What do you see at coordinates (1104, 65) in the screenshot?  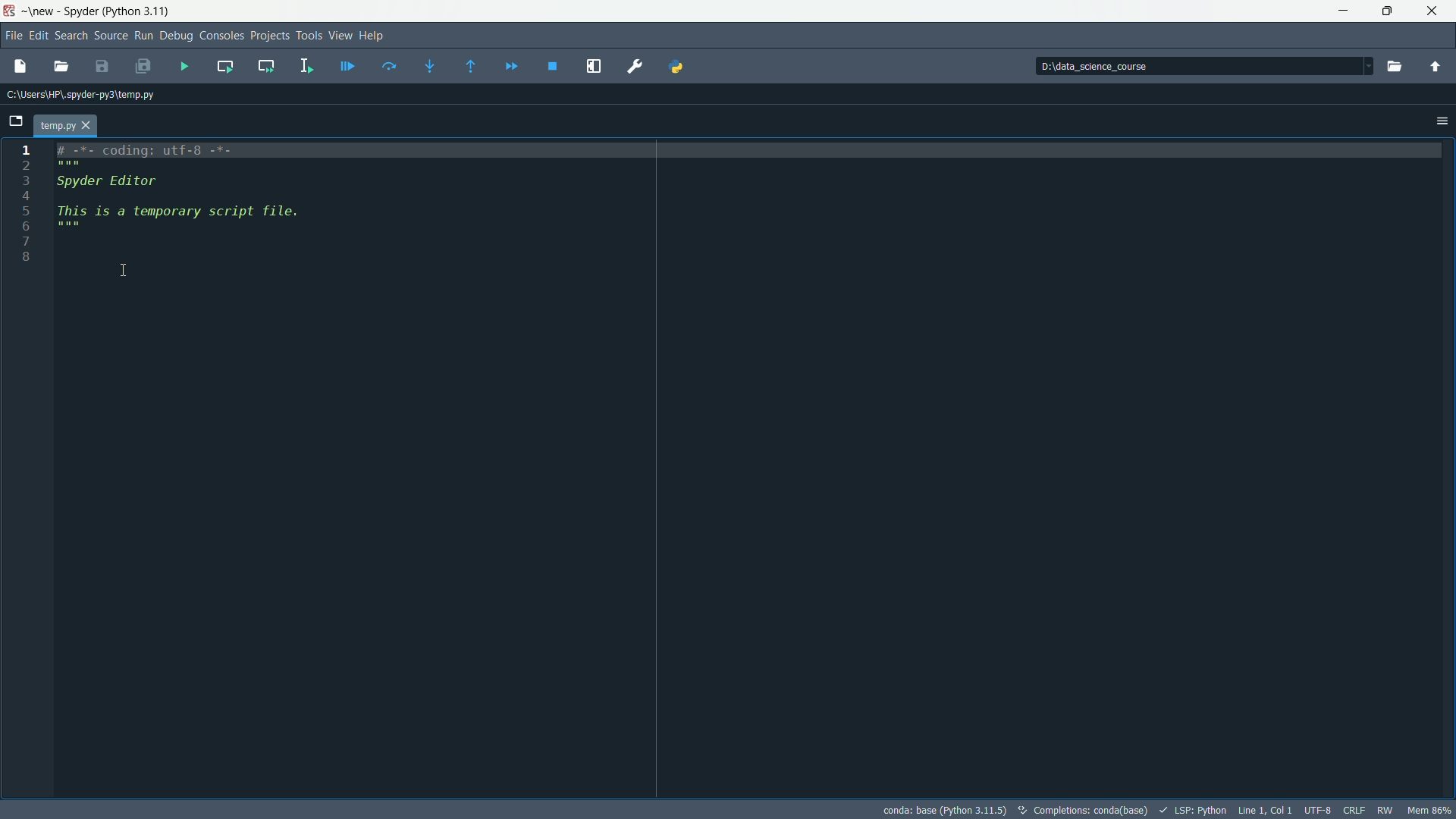 I see `D:\data_science_course` at bounding box center [1104, 65].